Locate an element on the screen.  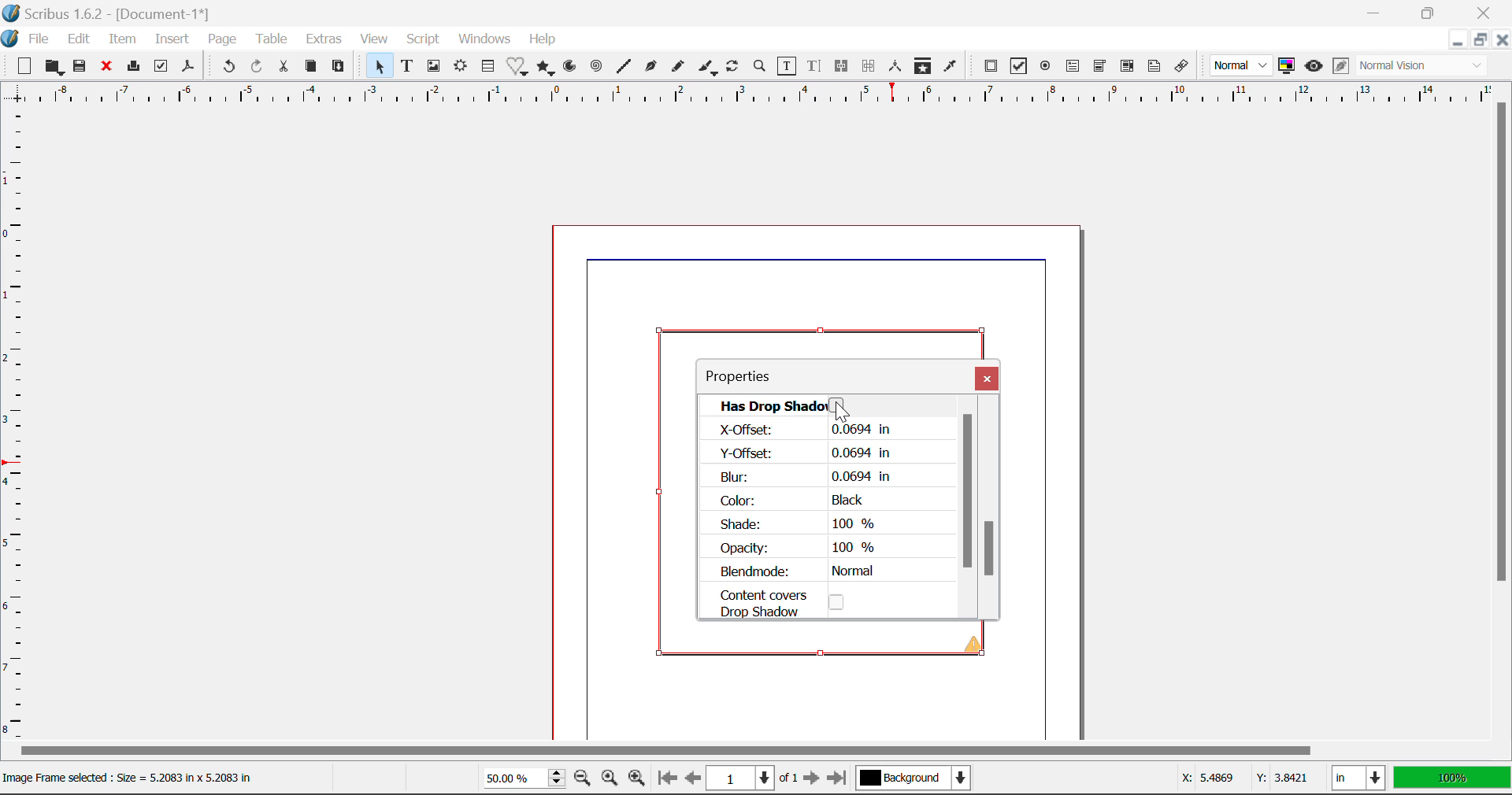
Close is located at coordinates (988, 380).